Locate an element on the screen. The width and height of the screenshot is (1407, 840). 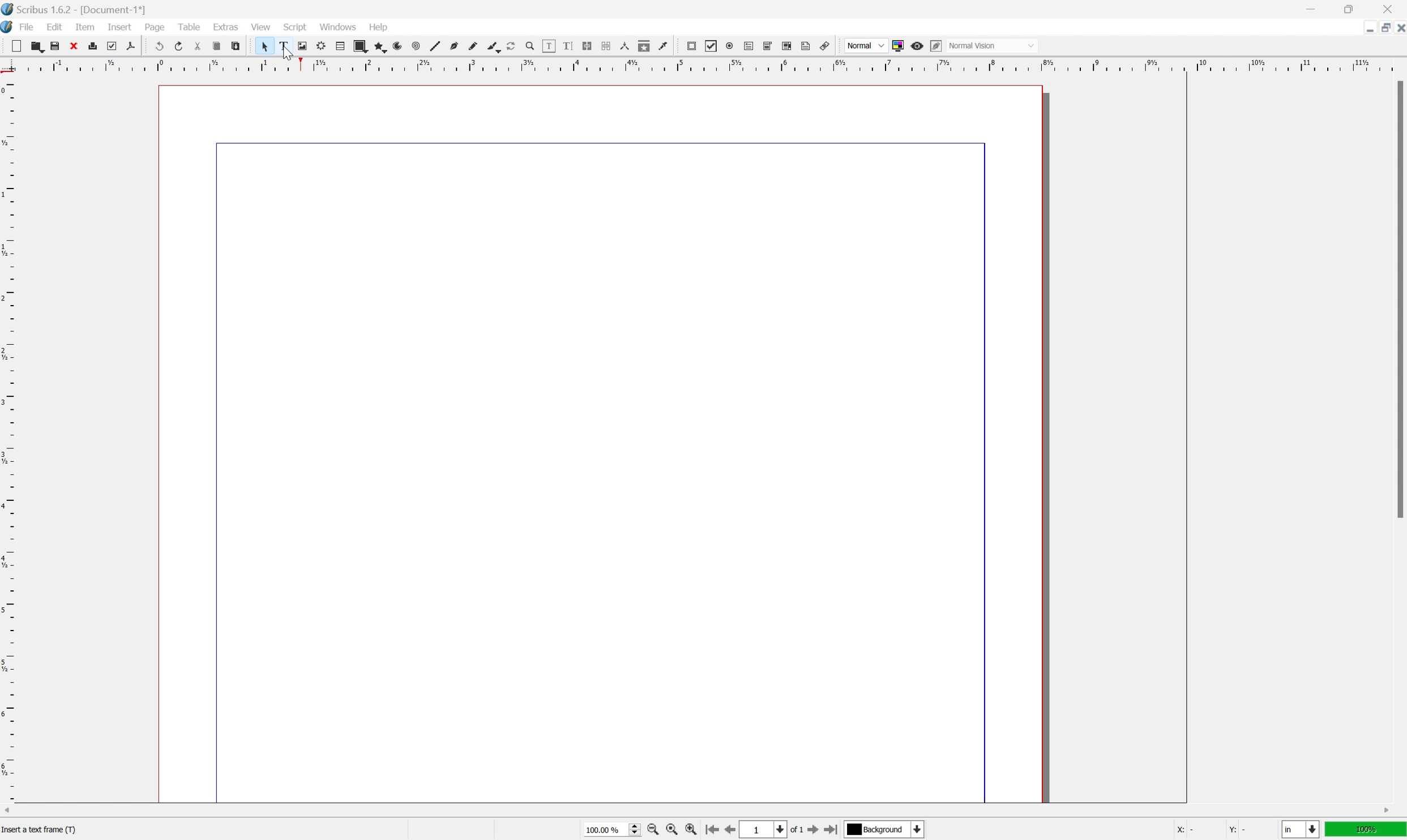
bezier curve is located at coordinates (455, 46).